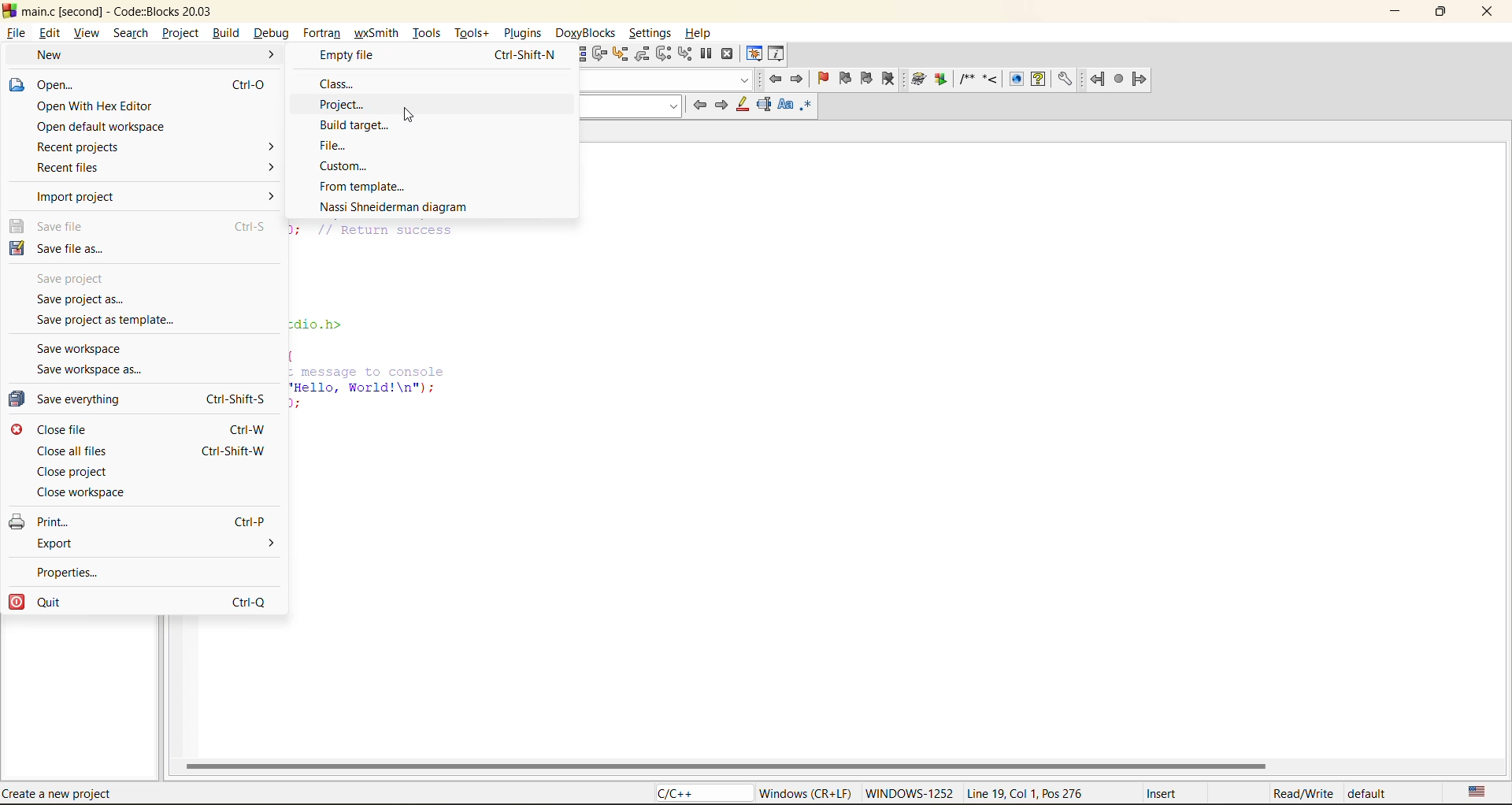  What do you see at coordinates (59, 792) in the screenshot?
I see `Create a new project` at bounding box center [59, 792].